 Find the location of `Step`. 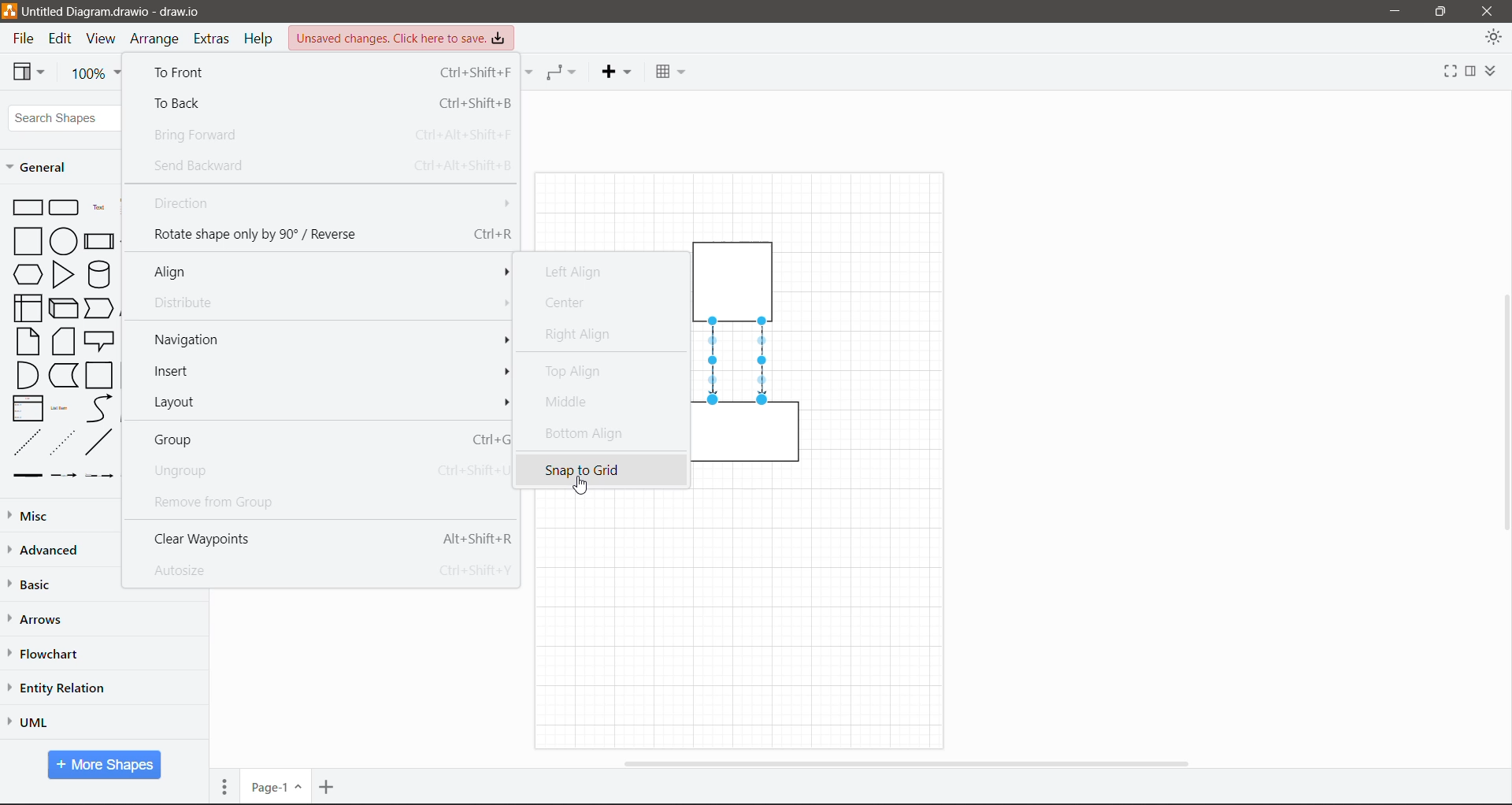

Step is located at coordinates (99, 306).